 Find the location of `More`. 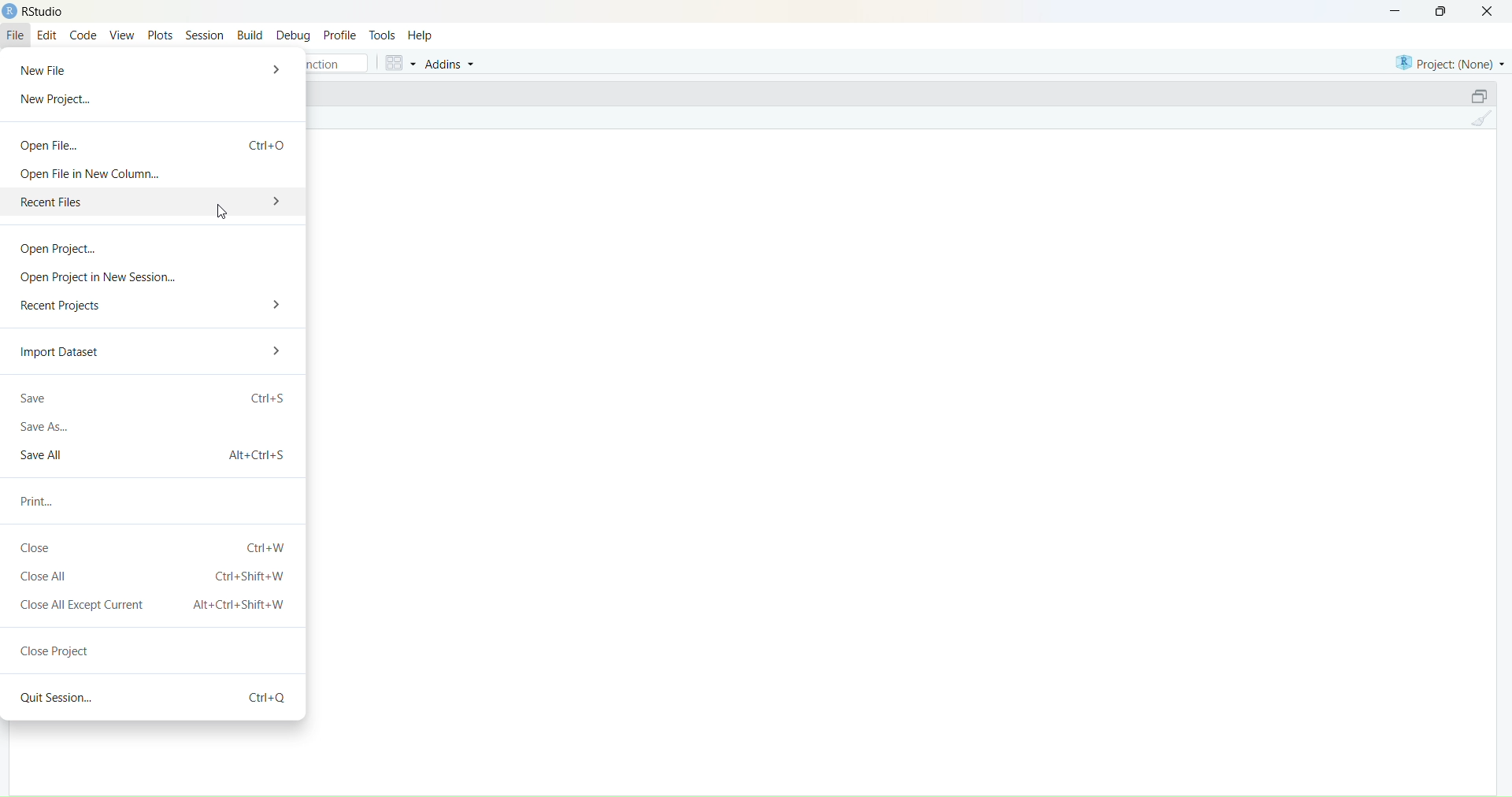

More is located at coordinates (278, 303).